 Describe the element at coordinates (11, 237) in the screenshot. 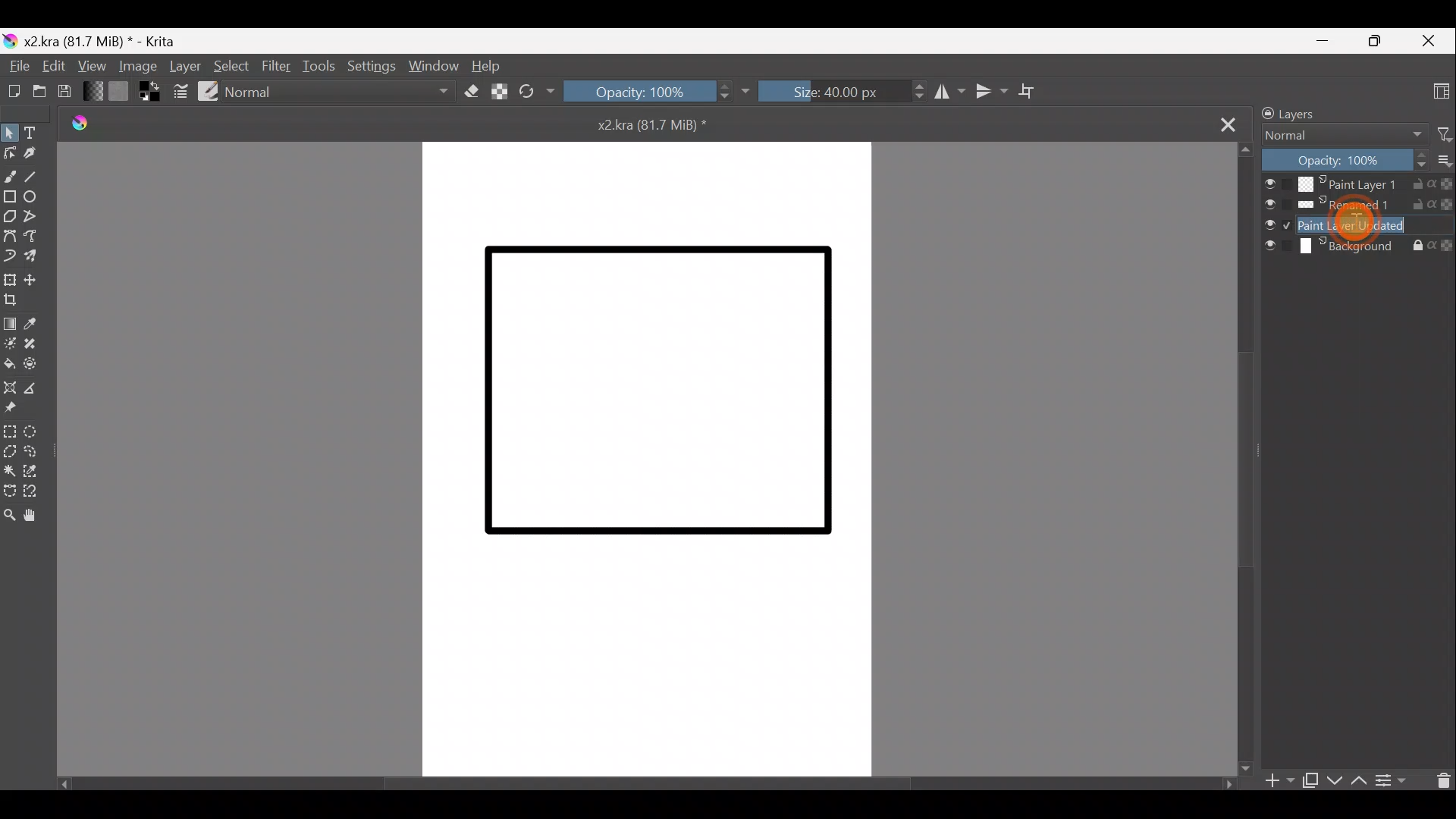

I see `Bezier curve tool` at that location.